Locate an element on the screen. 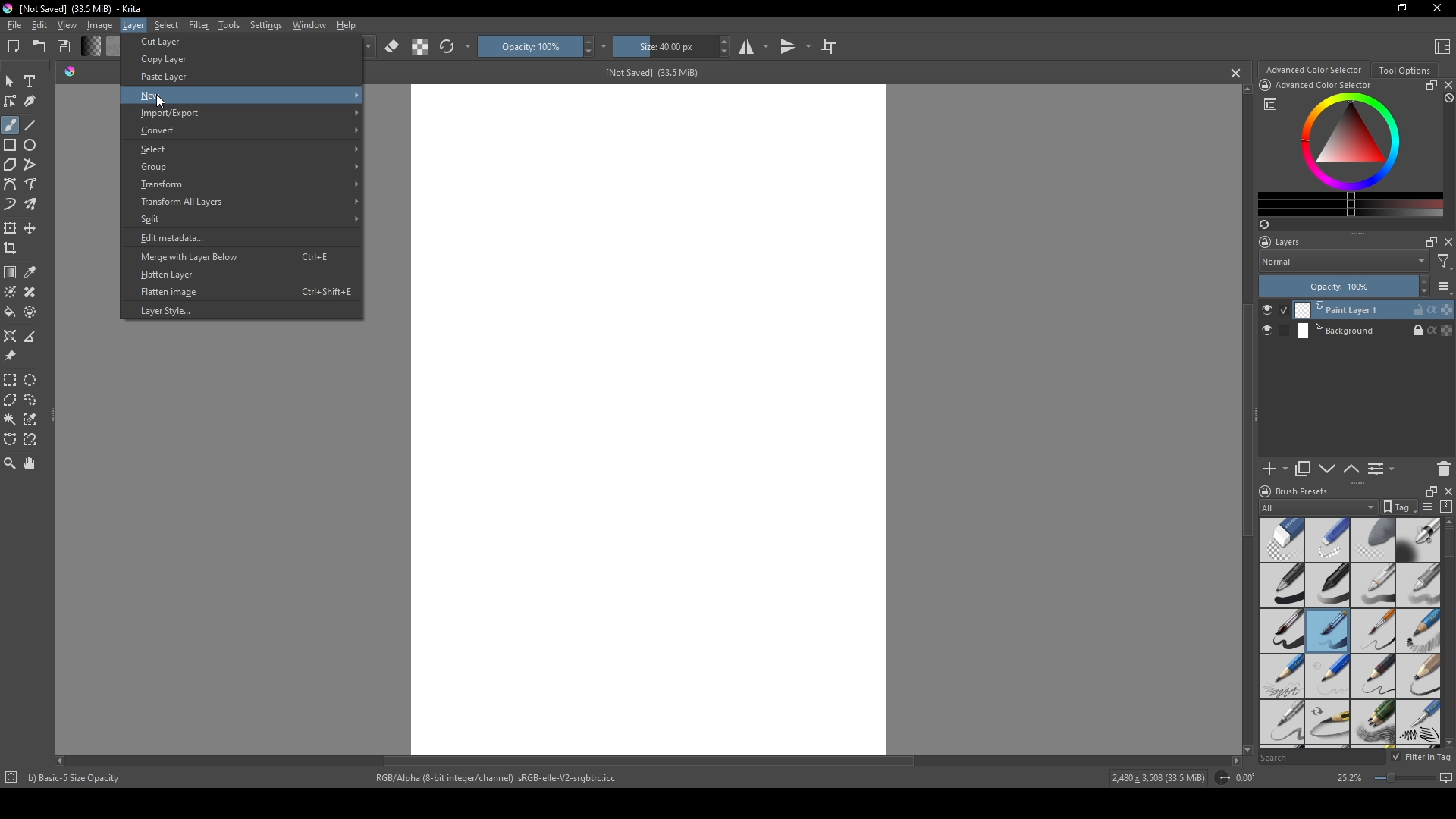 This screenshot has width=1456, height=819. cursor is located at coordinates (163, 102).